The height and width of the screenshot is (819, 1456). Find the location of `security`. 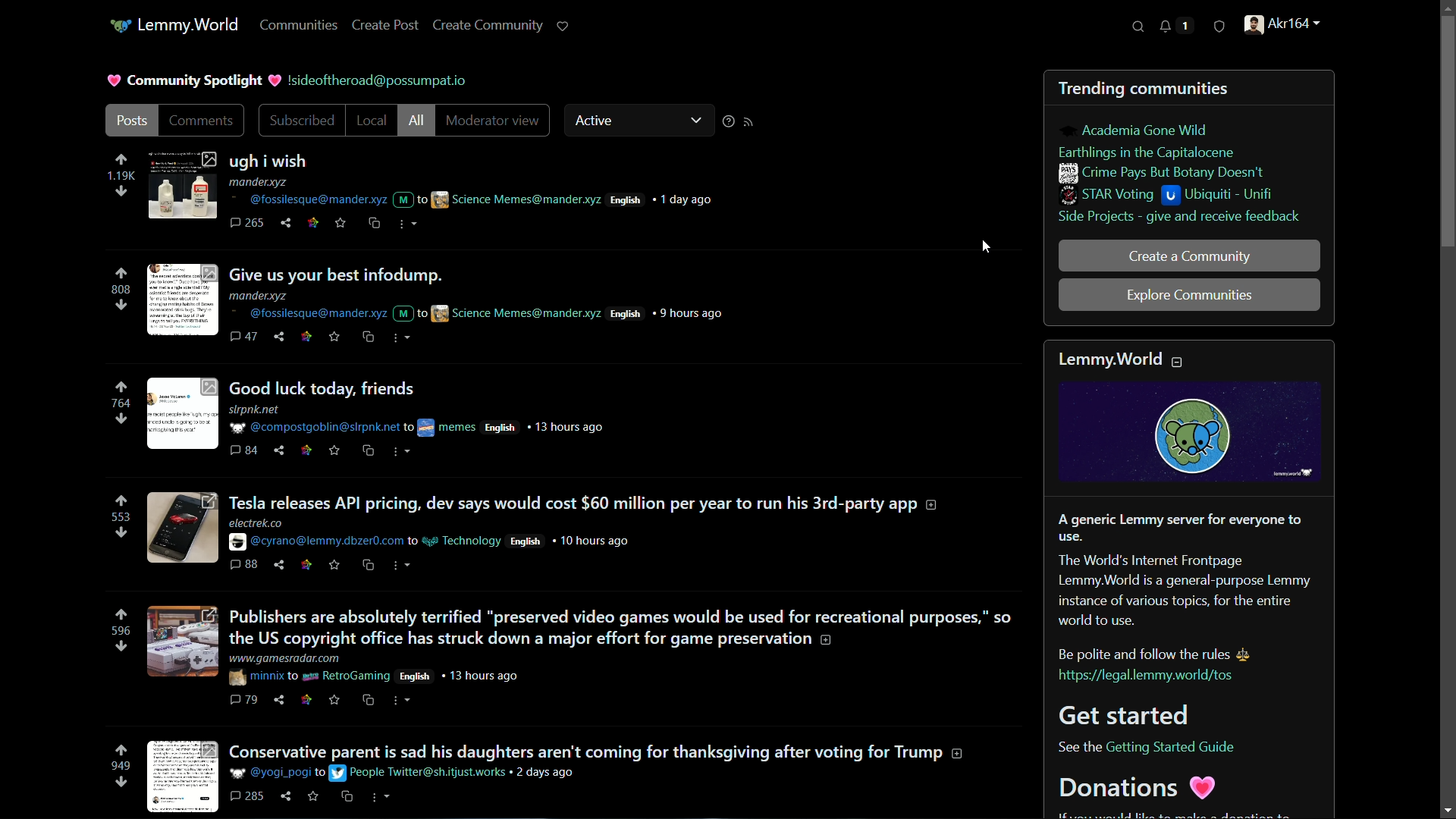

security is located at coordinates (1219, 30).